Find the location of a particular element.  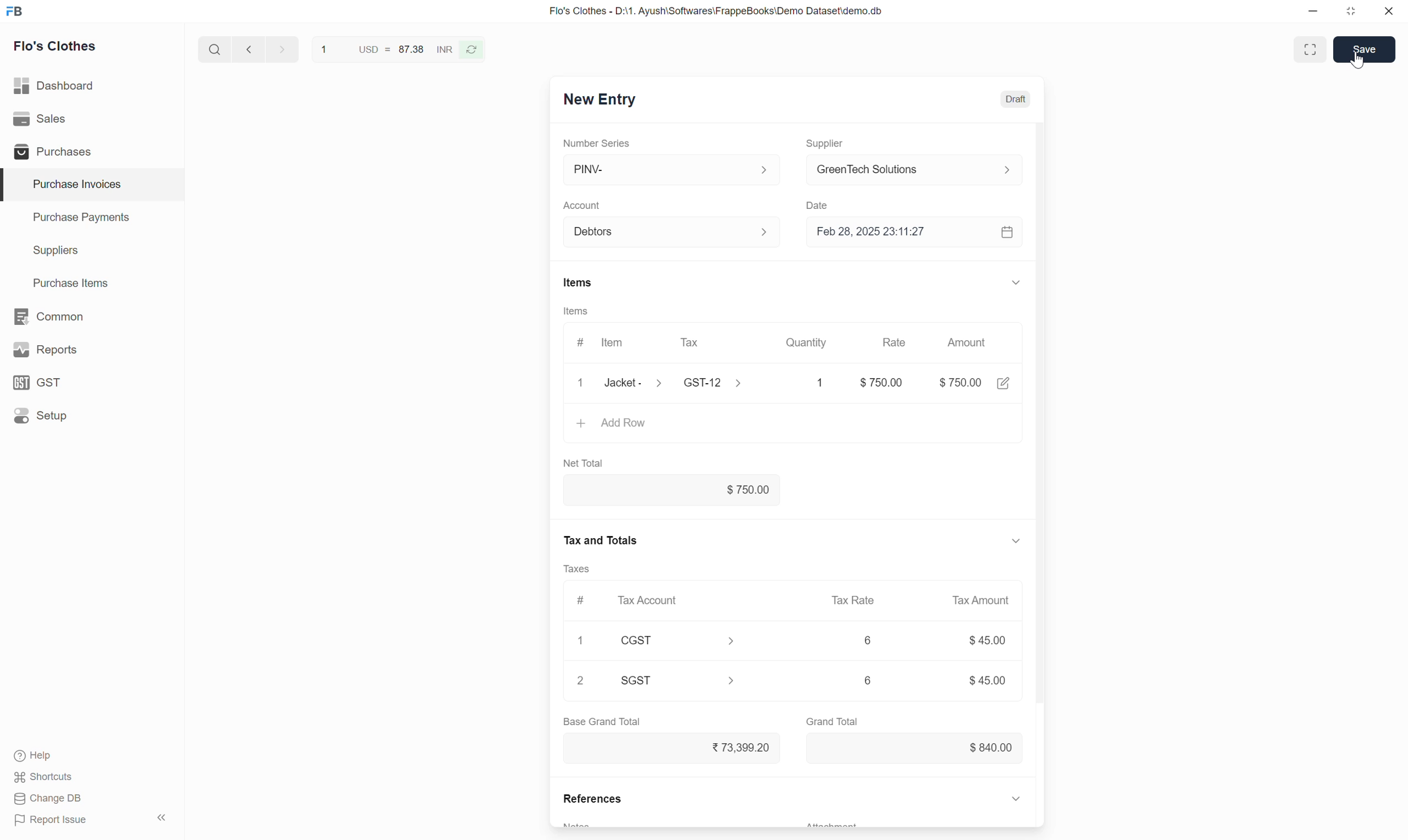

Collapse is located at coordinates (1017, 282).